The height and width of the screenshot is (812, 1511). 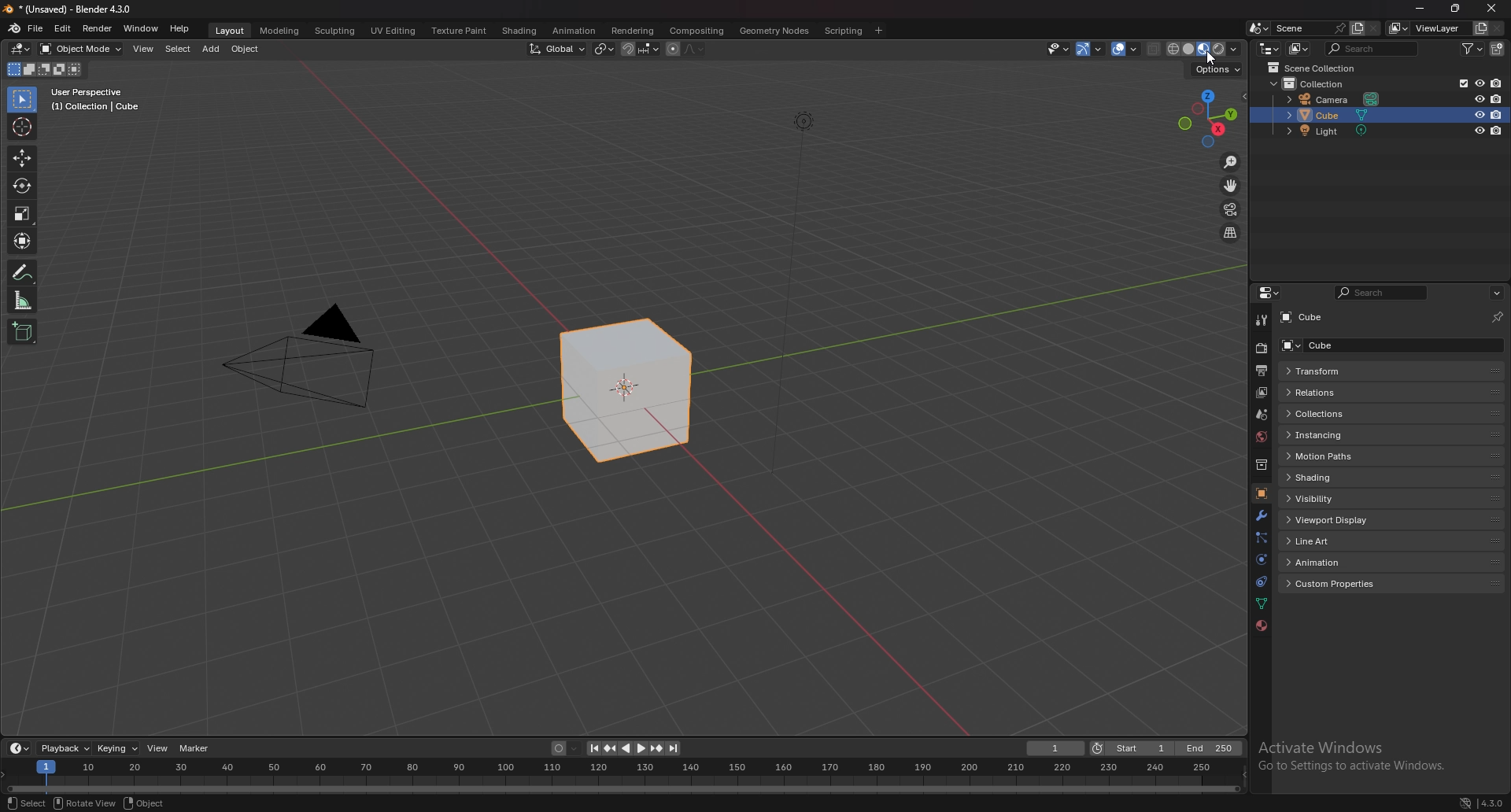 I want to click on geometry nodes, so click(x=775, y=31).